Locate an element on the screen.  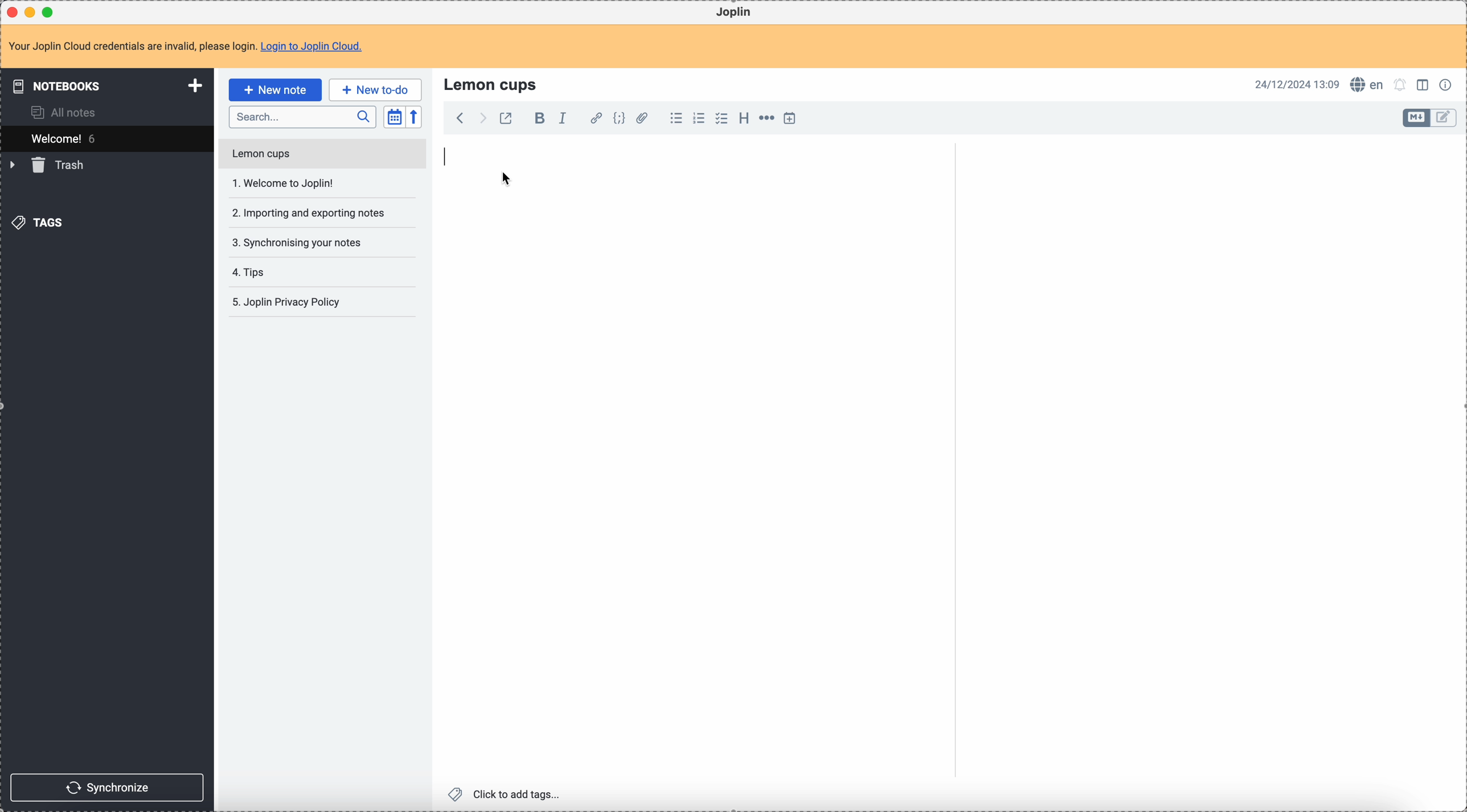
Joplin privacy policy note is located at coordinates (289, 302).